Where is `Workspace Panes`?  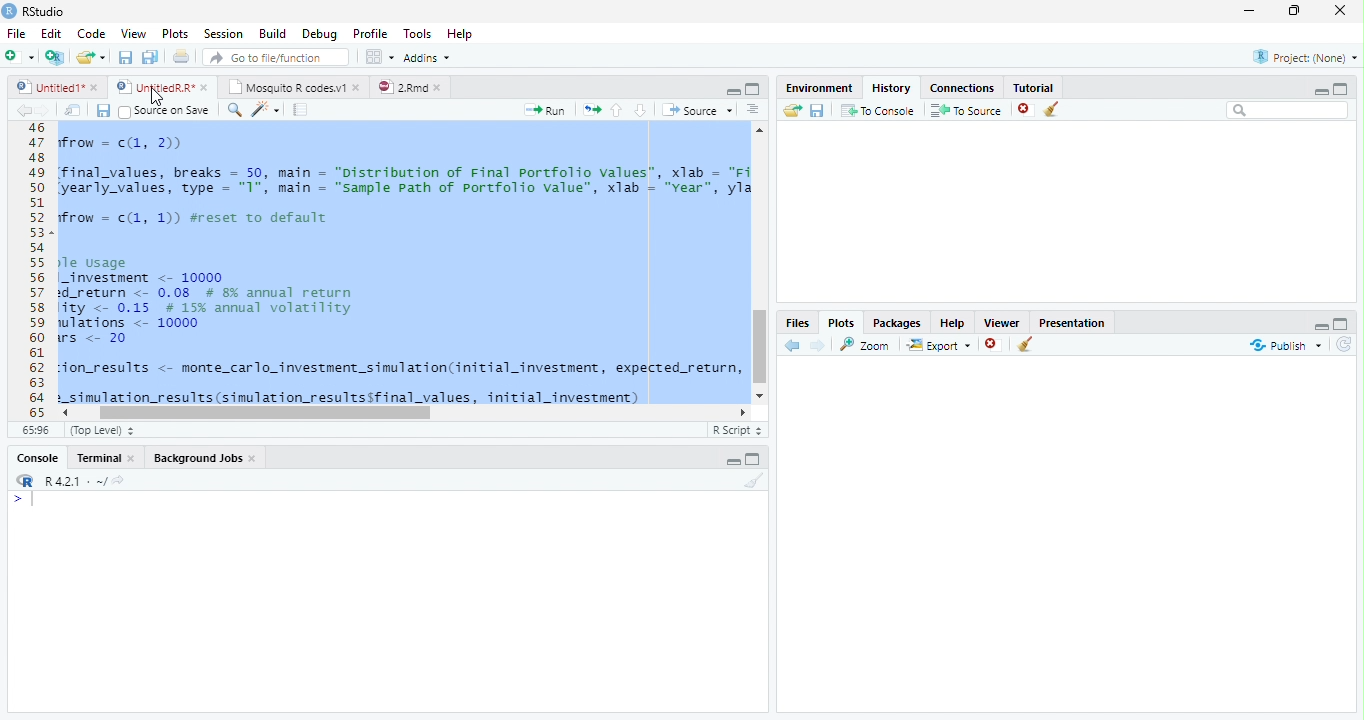
Workspace Panes is located at coordinates (379, 57).